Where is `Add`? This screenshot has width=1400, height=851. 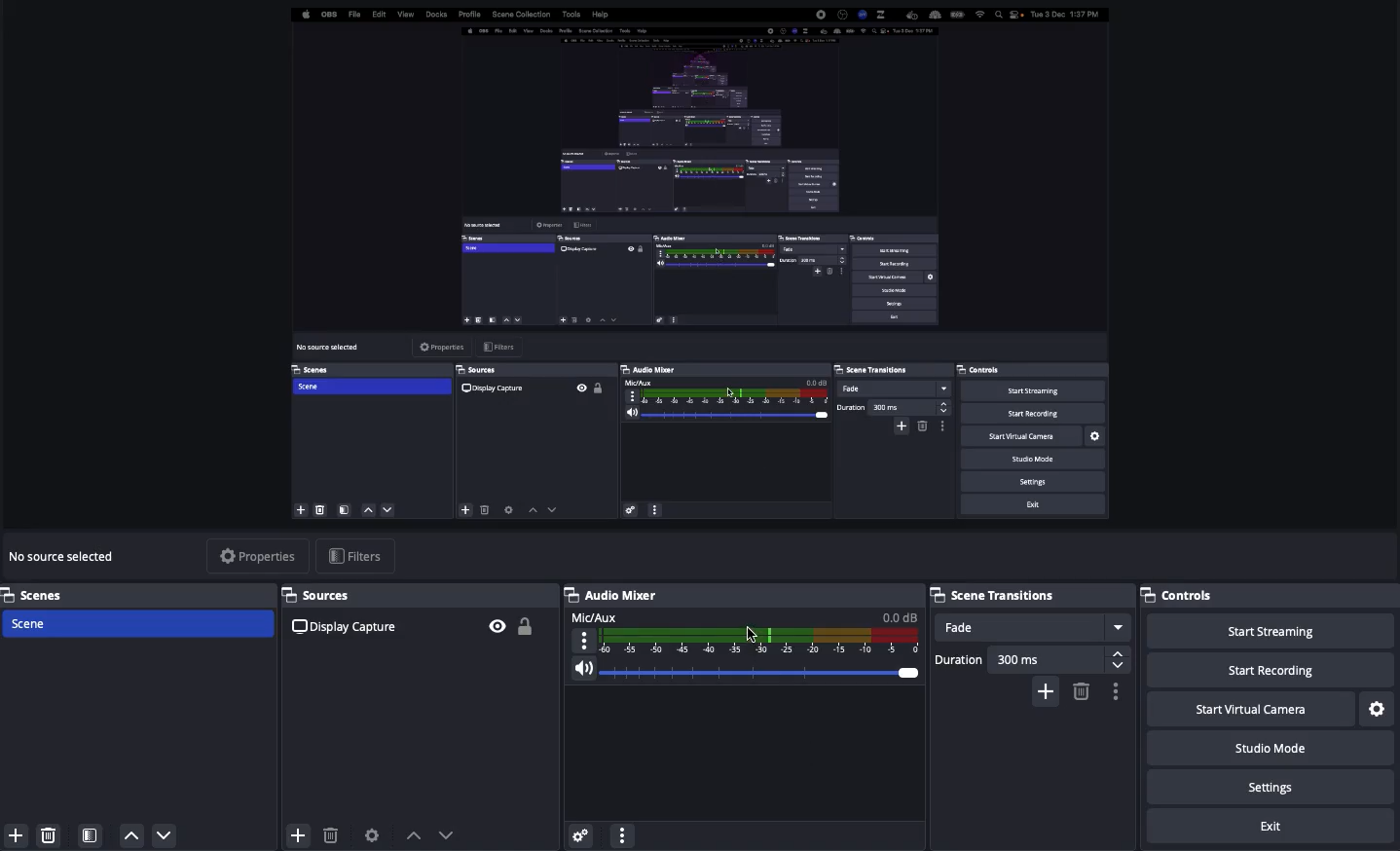 Add is located at coordinates (1045, 692).